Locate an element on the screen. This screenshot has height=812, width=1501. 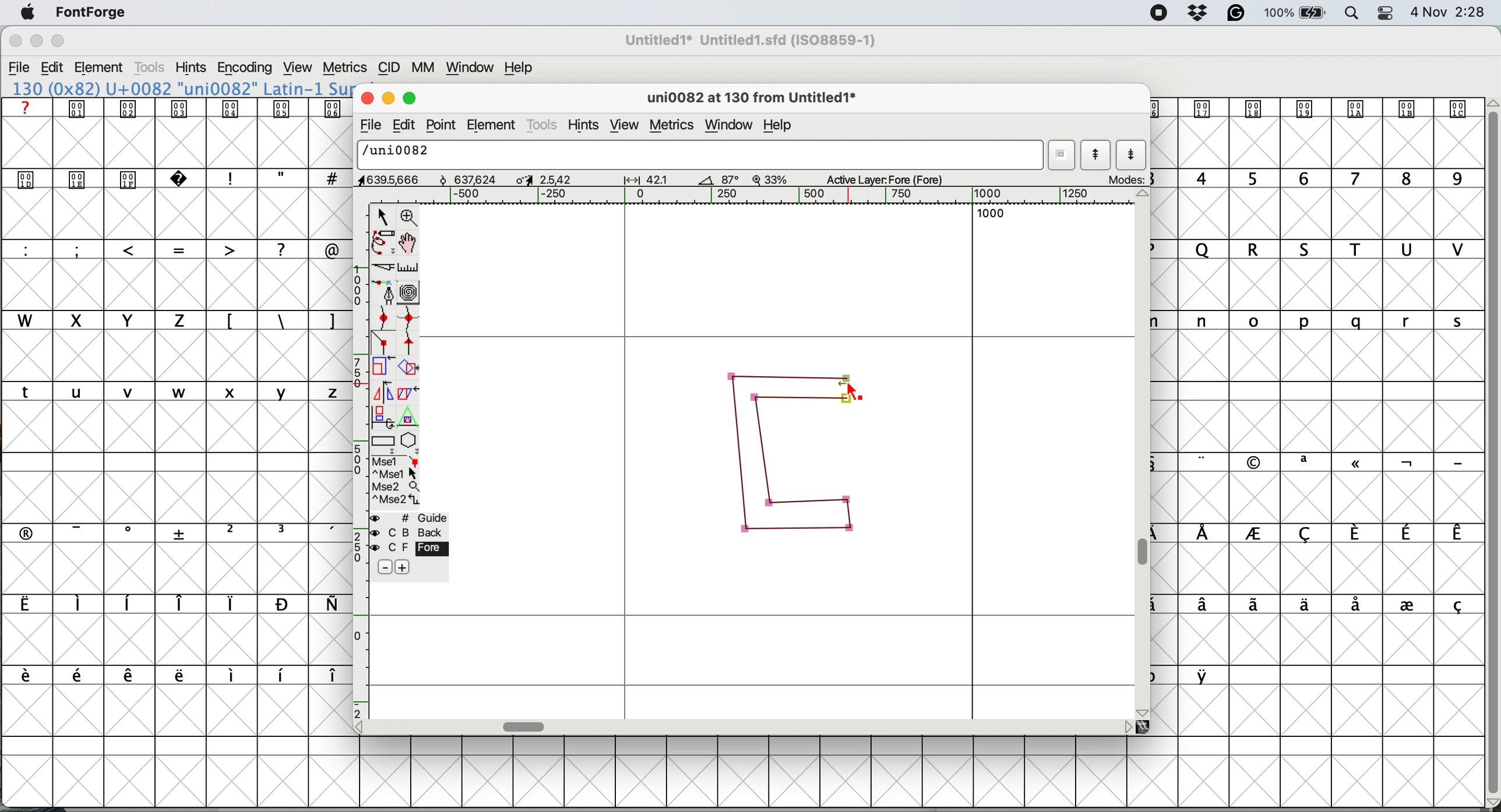
measure distance between two points is located at coordinates (409, 270).